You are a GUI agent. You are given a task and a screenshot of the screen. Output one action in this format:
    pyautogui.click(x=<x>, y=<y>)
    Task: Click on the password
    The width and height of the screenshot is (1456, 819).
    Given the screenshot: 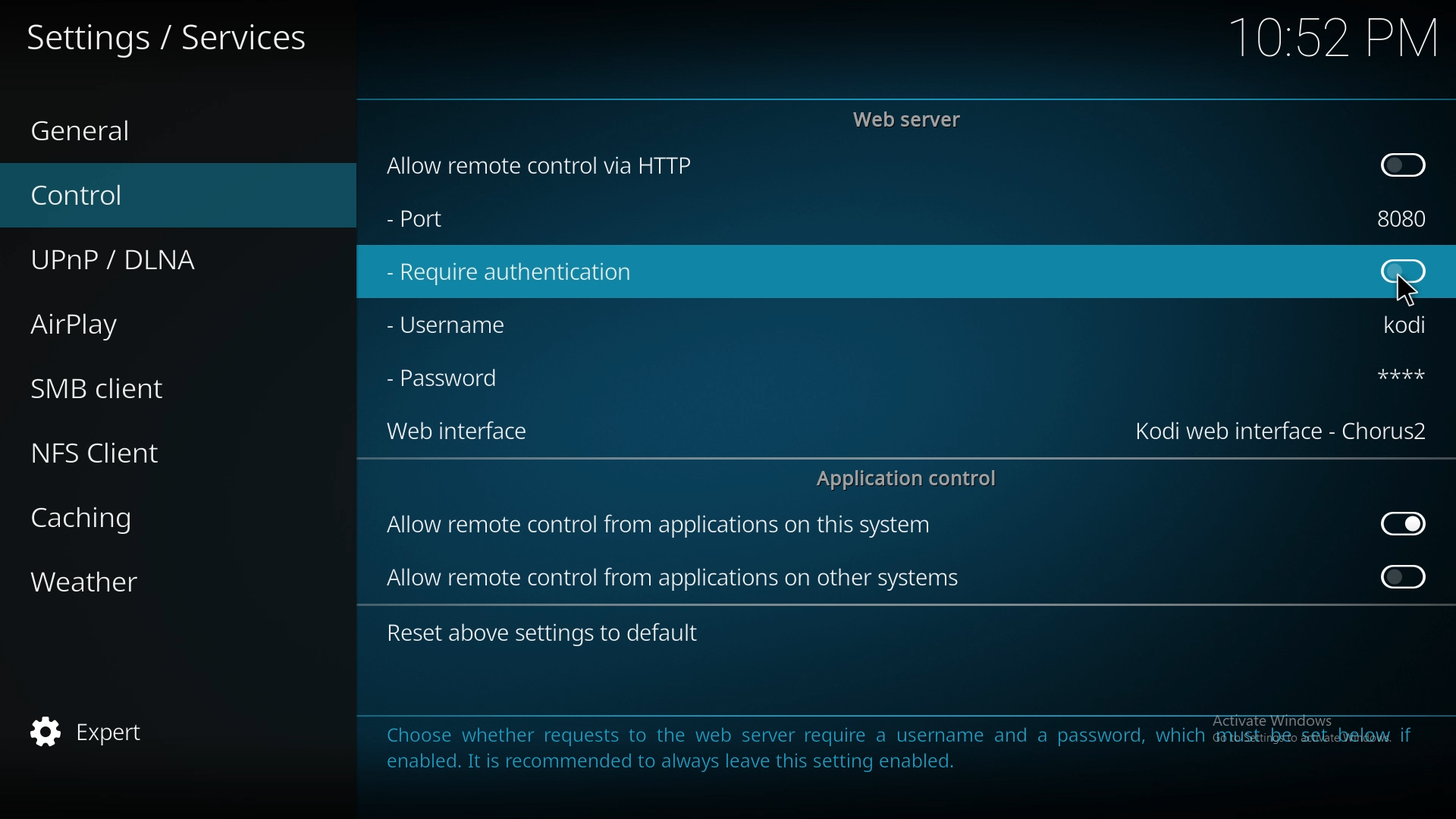 What is the action you would take?
    pyautogui.click(x=449, y=380)
    